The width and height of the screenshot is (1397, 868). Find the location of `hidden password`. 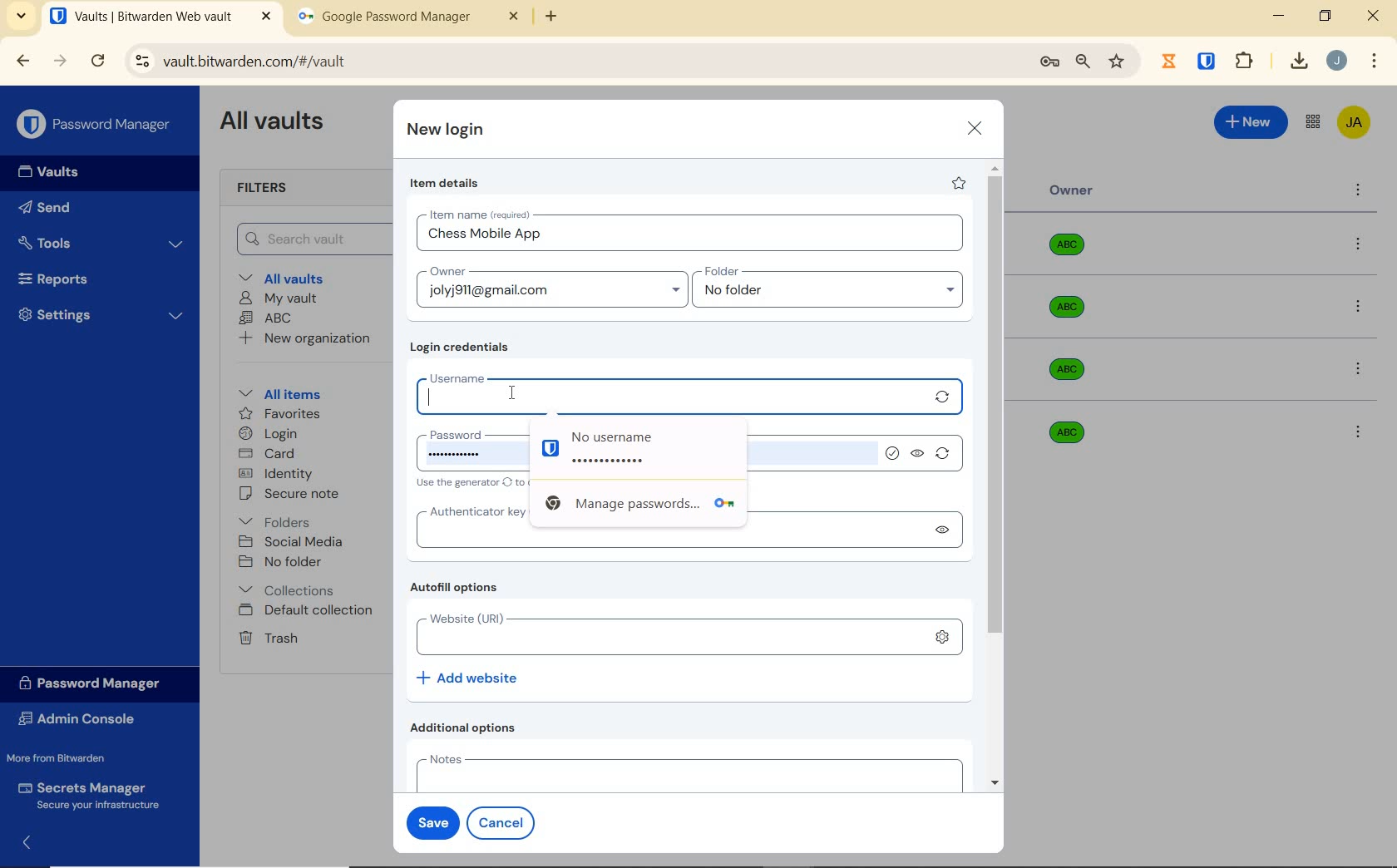

hidden password is located at coordinates (619, 461).